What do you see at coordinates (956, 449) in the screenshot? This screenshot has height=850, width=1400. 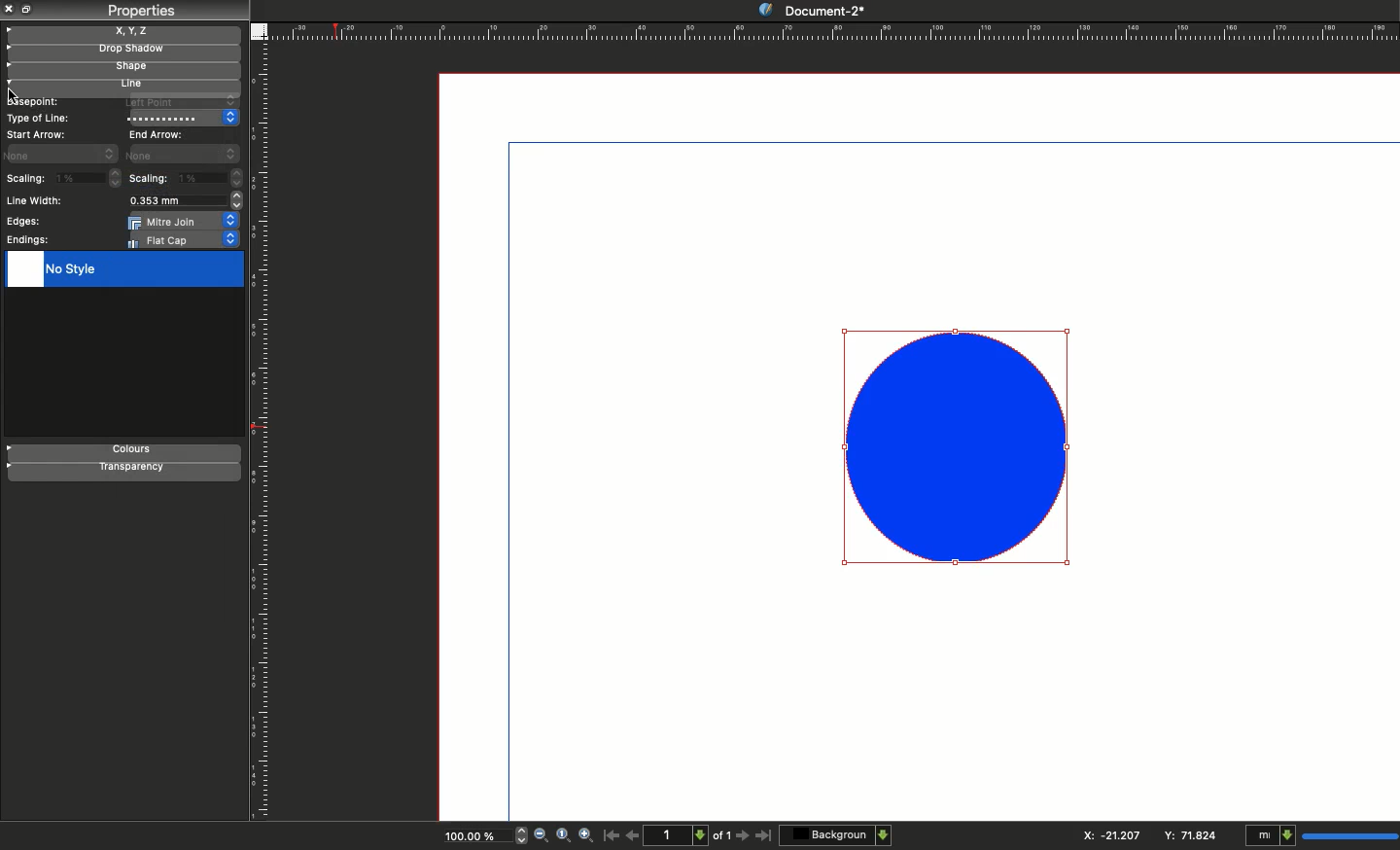 I see `New border` at bounding box center [956, 449].